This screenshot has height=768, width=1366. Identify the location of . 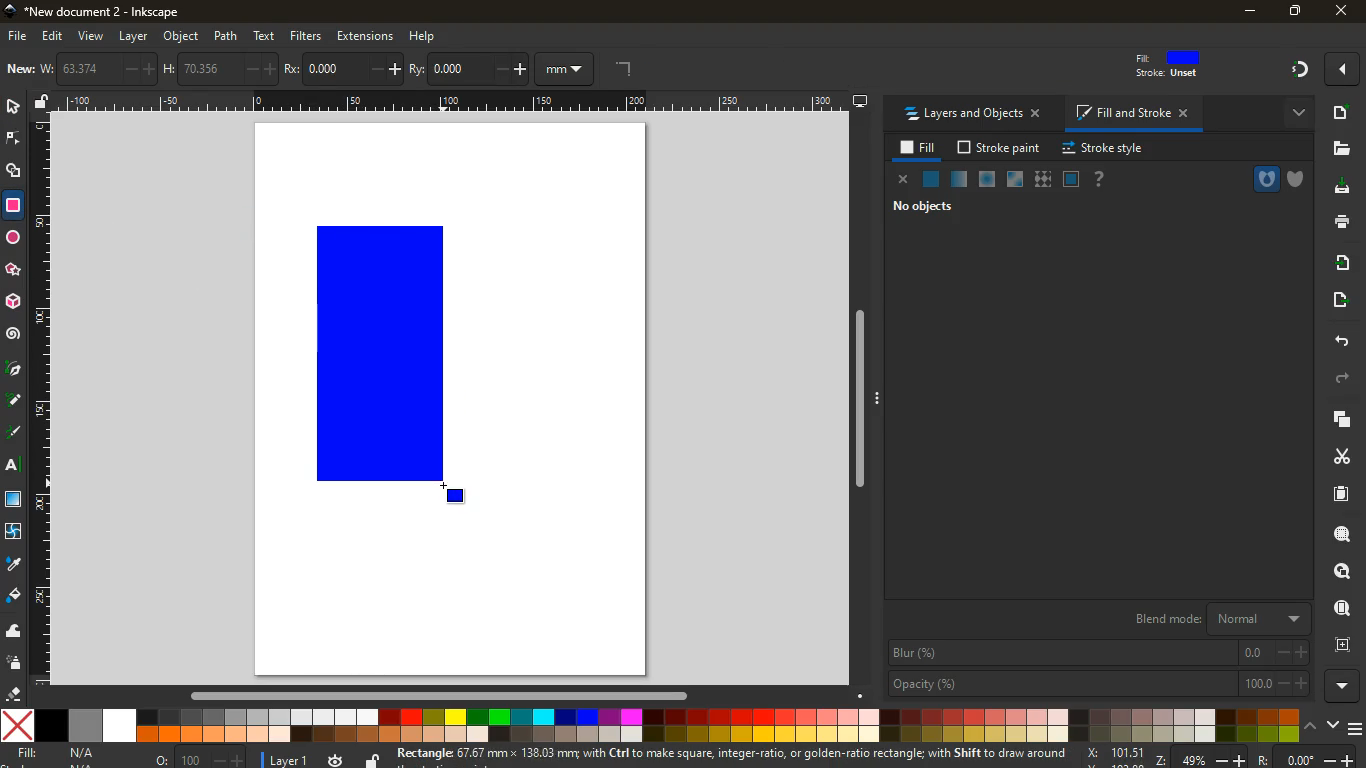
(857, 399).